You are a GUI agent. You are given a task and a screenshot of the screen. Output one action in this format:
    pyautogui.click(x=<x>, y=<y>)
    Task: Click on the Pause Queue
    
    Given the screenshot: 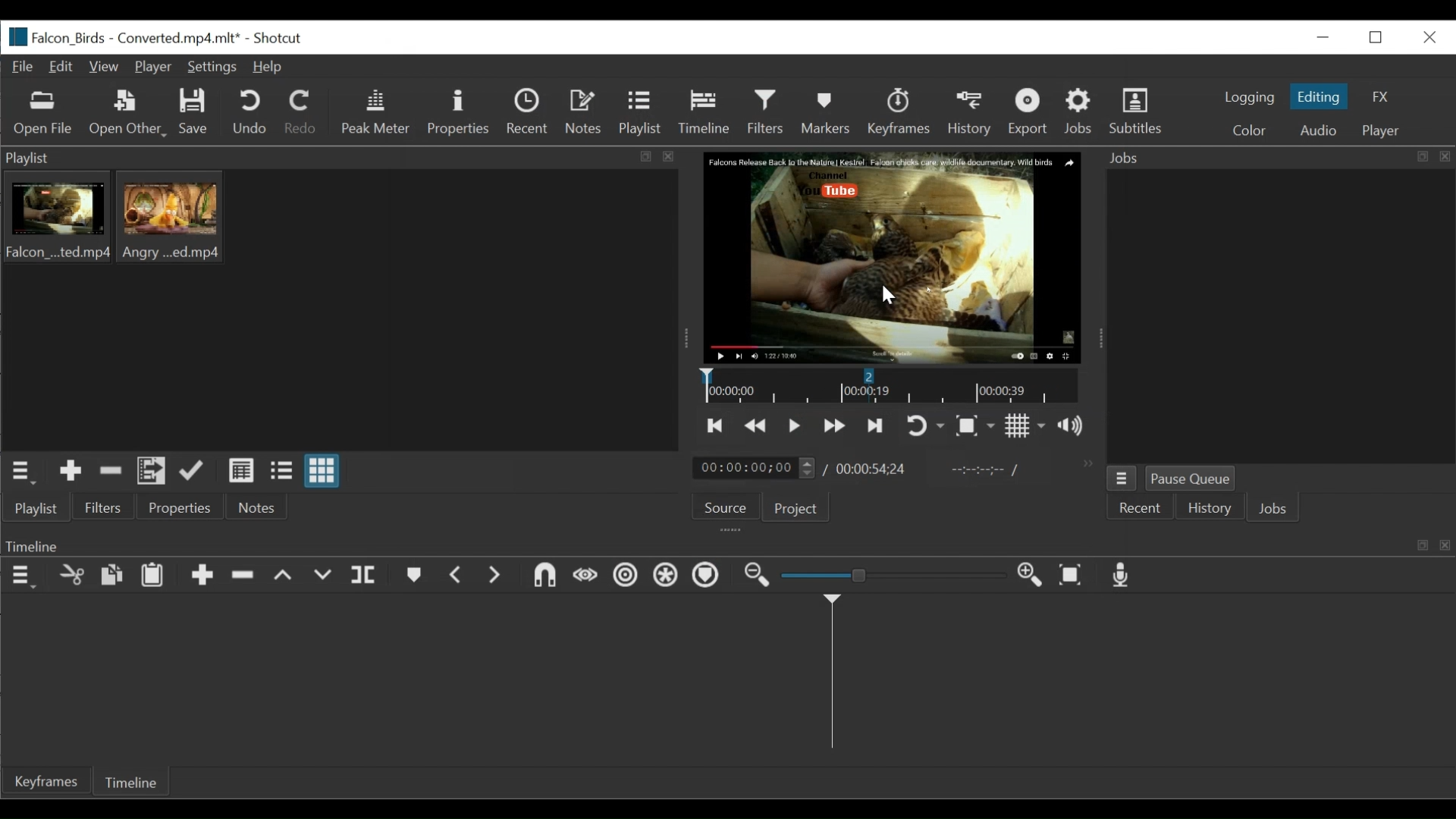 What is the action you would take?
    pyautogui.click(x=1198, y=479)
    